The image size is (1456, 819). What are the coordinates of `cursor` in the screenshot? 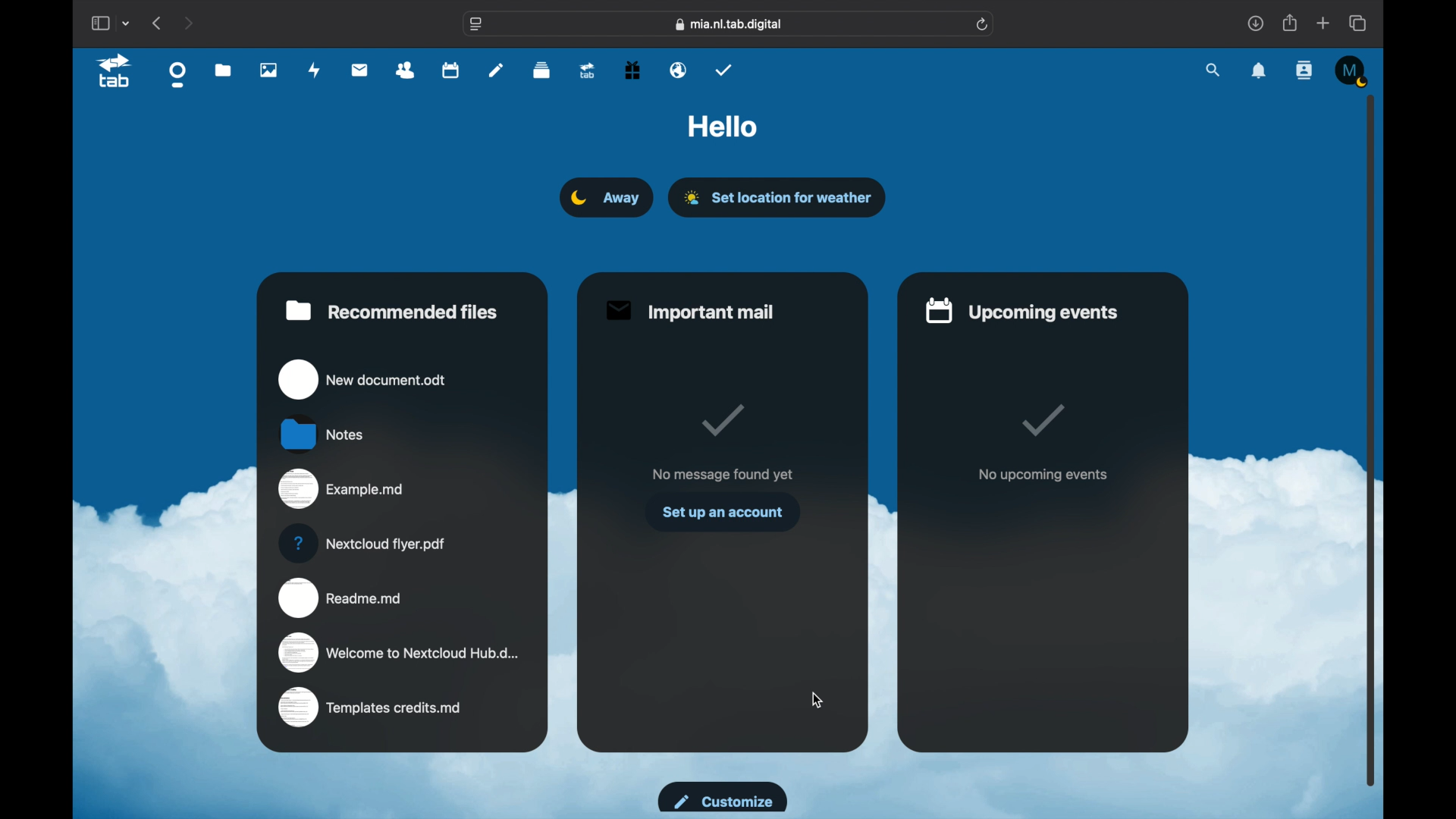 It's located at (817, 700).